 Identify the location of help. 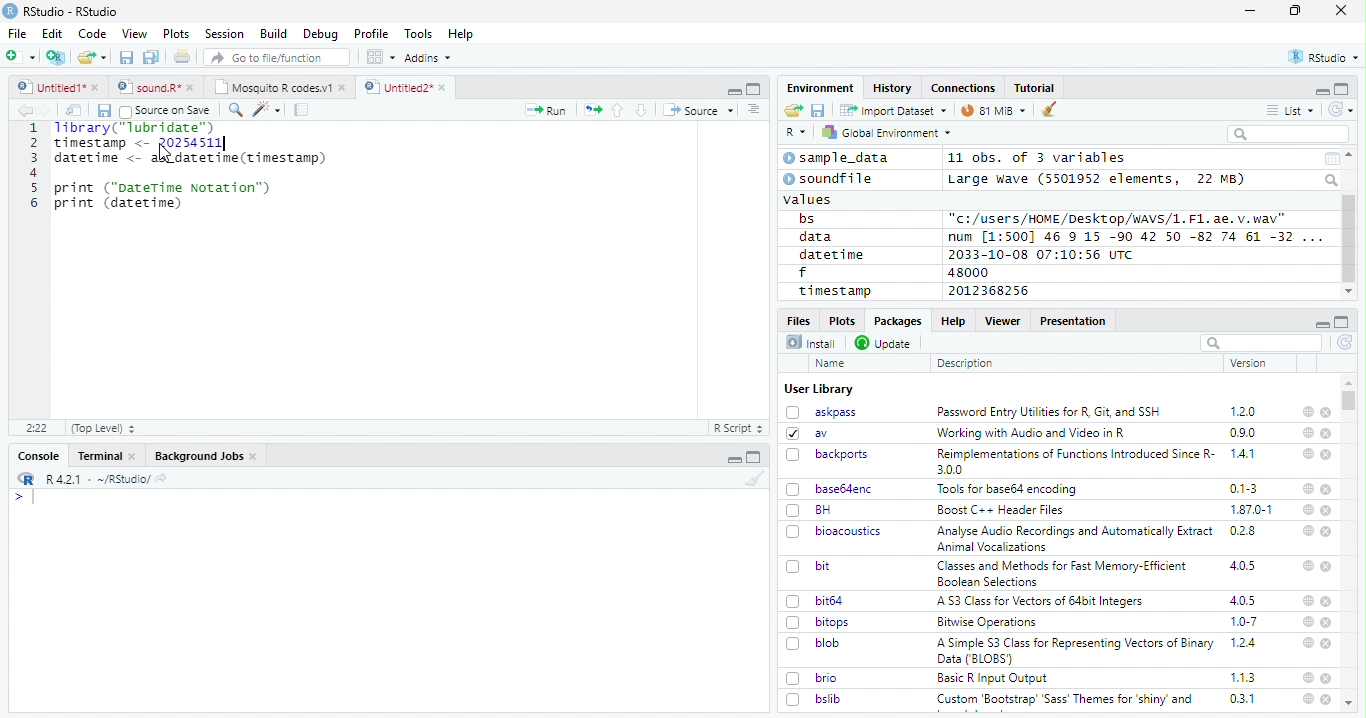
(1307, 699).